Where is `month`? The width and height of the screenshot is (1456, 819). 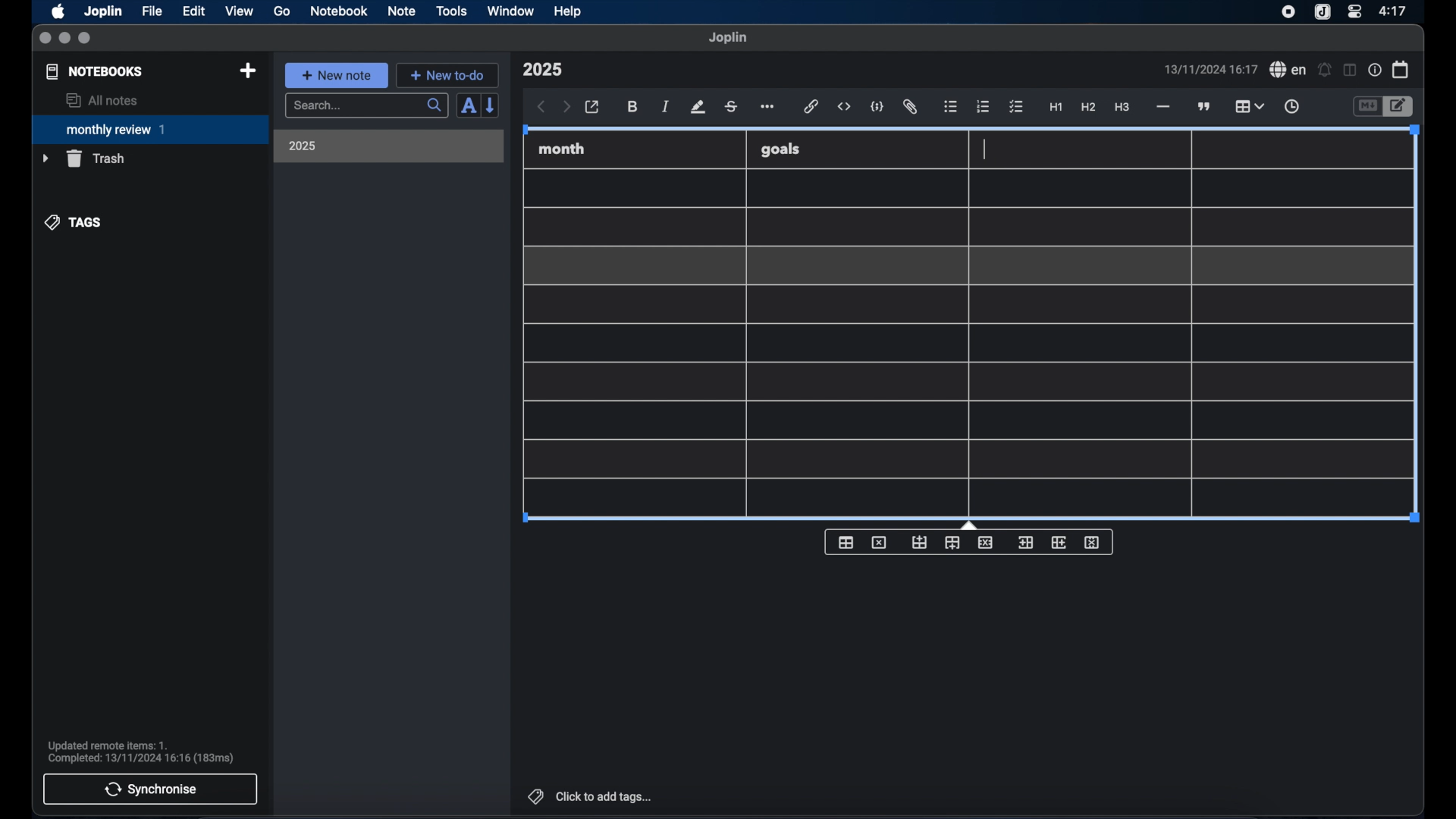 month is located at coordinates (562, 149).